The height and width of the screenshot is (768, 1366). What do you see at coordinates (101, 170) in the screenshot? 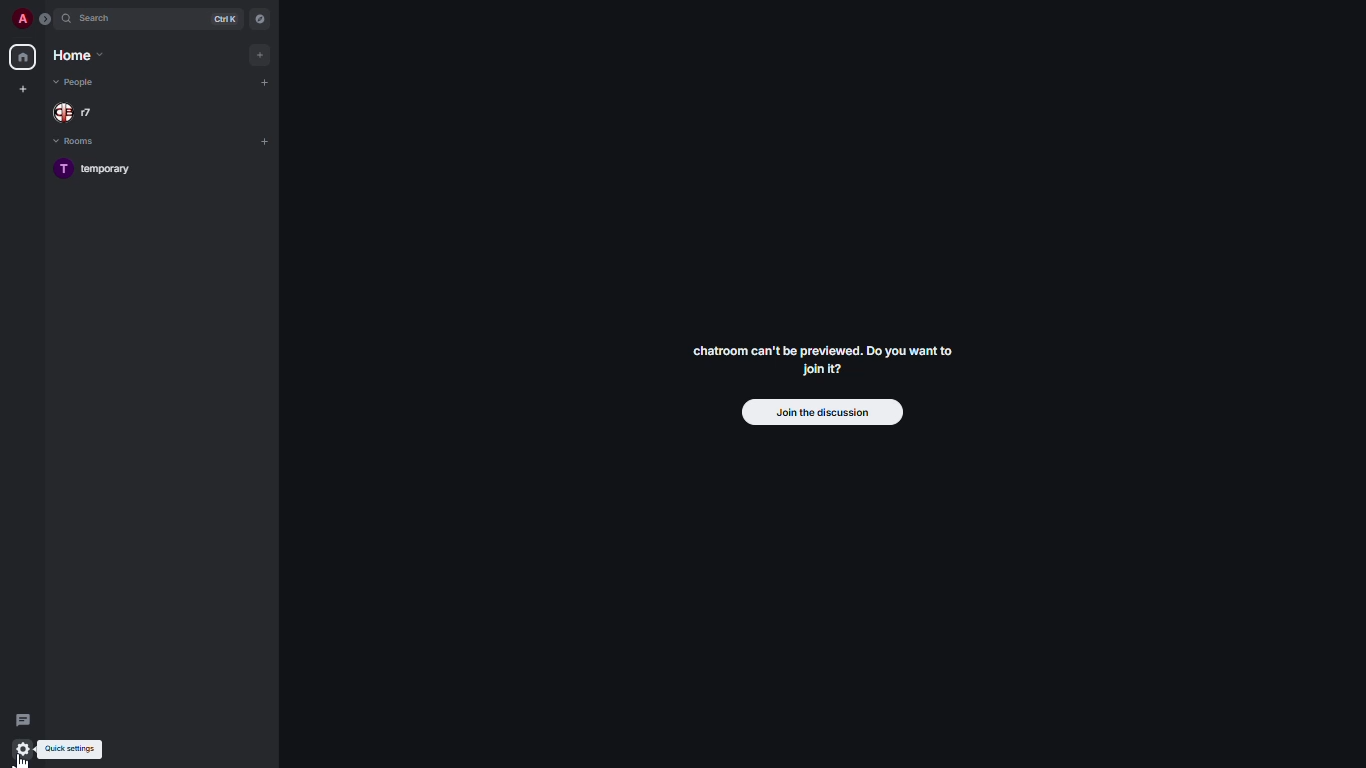
I see `room` at bounding box center [101, 170].